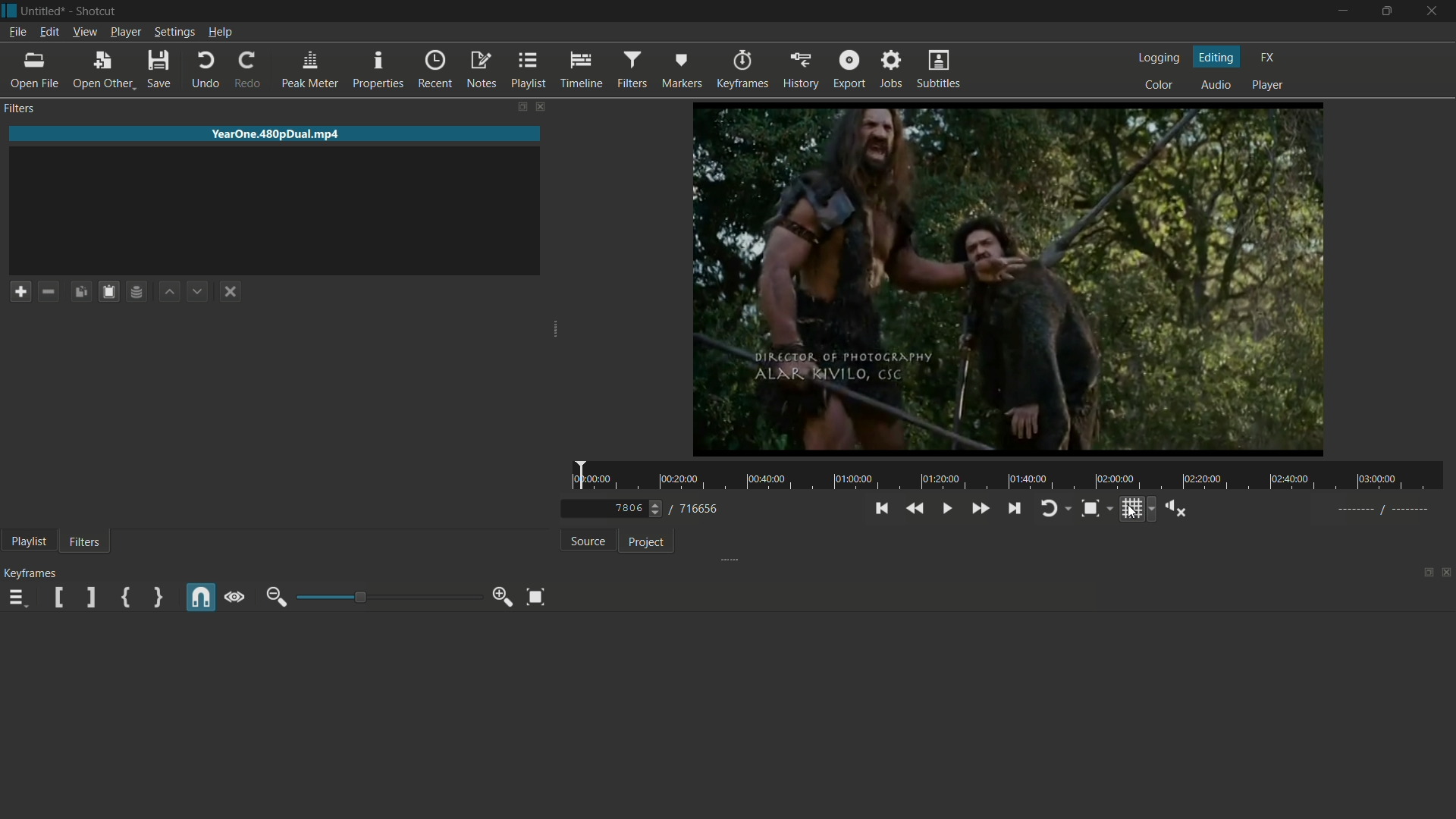  What do you see at coordinates (523, 108) in the screenshot?
I see `change layout` at bounding box center [523, 108].